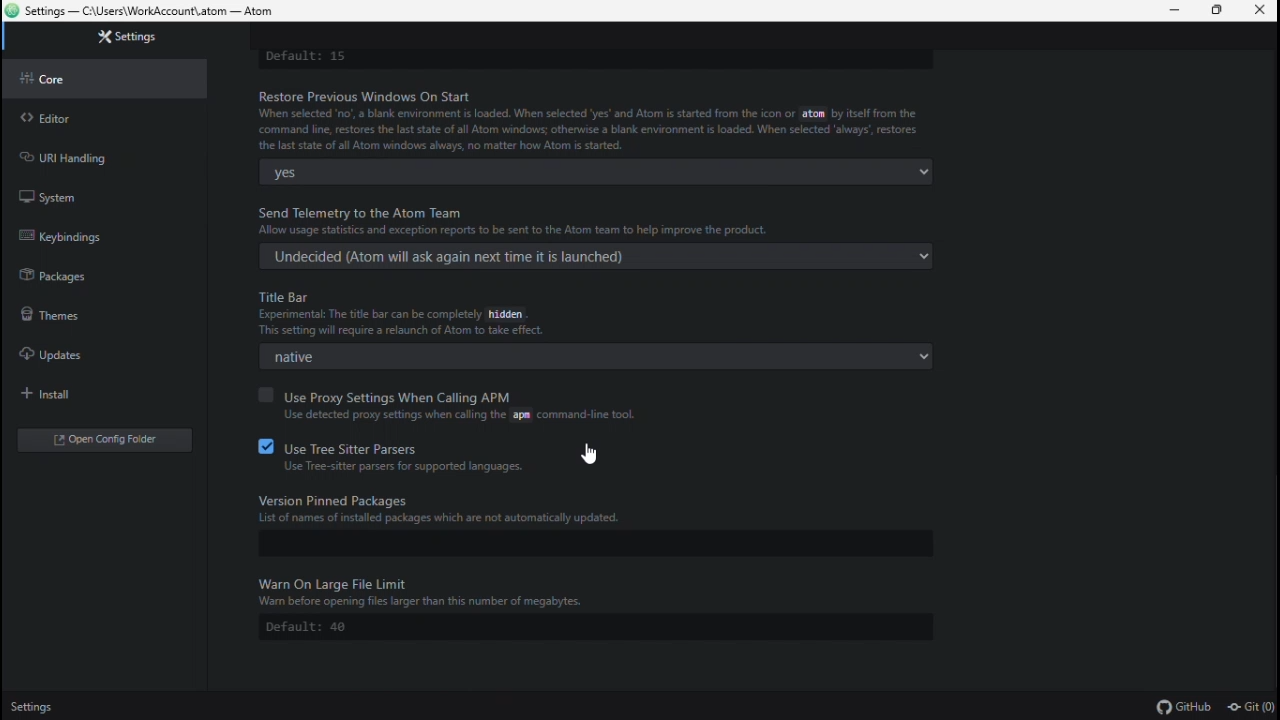 The width and height of the screenshot is (1280, 720). Describe the element at coordinates (37, 707) in the screenshot. I see `Settings` at that location.